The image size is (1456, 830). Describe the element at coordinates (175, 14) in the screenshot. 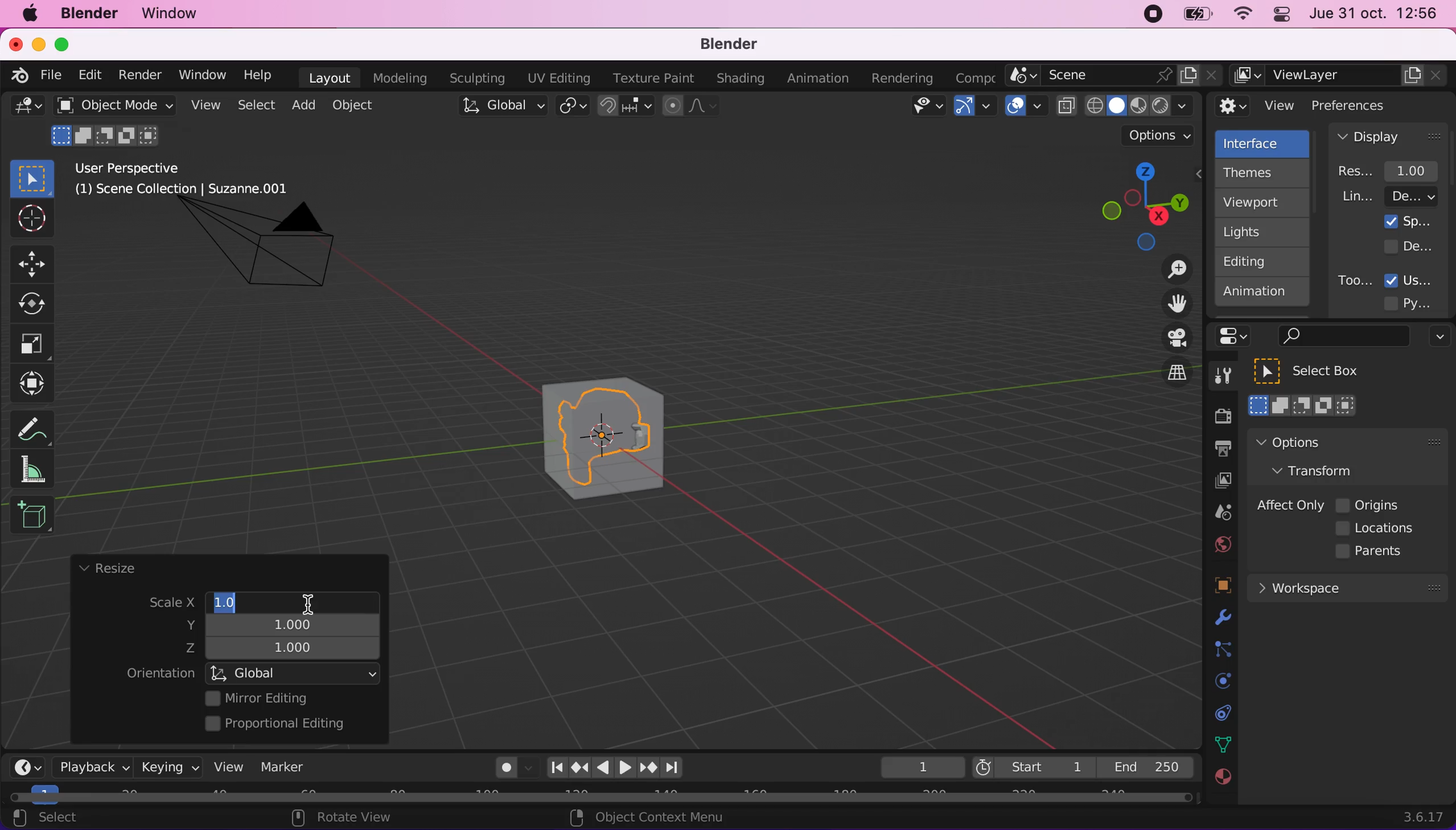

I see `window` at that location.